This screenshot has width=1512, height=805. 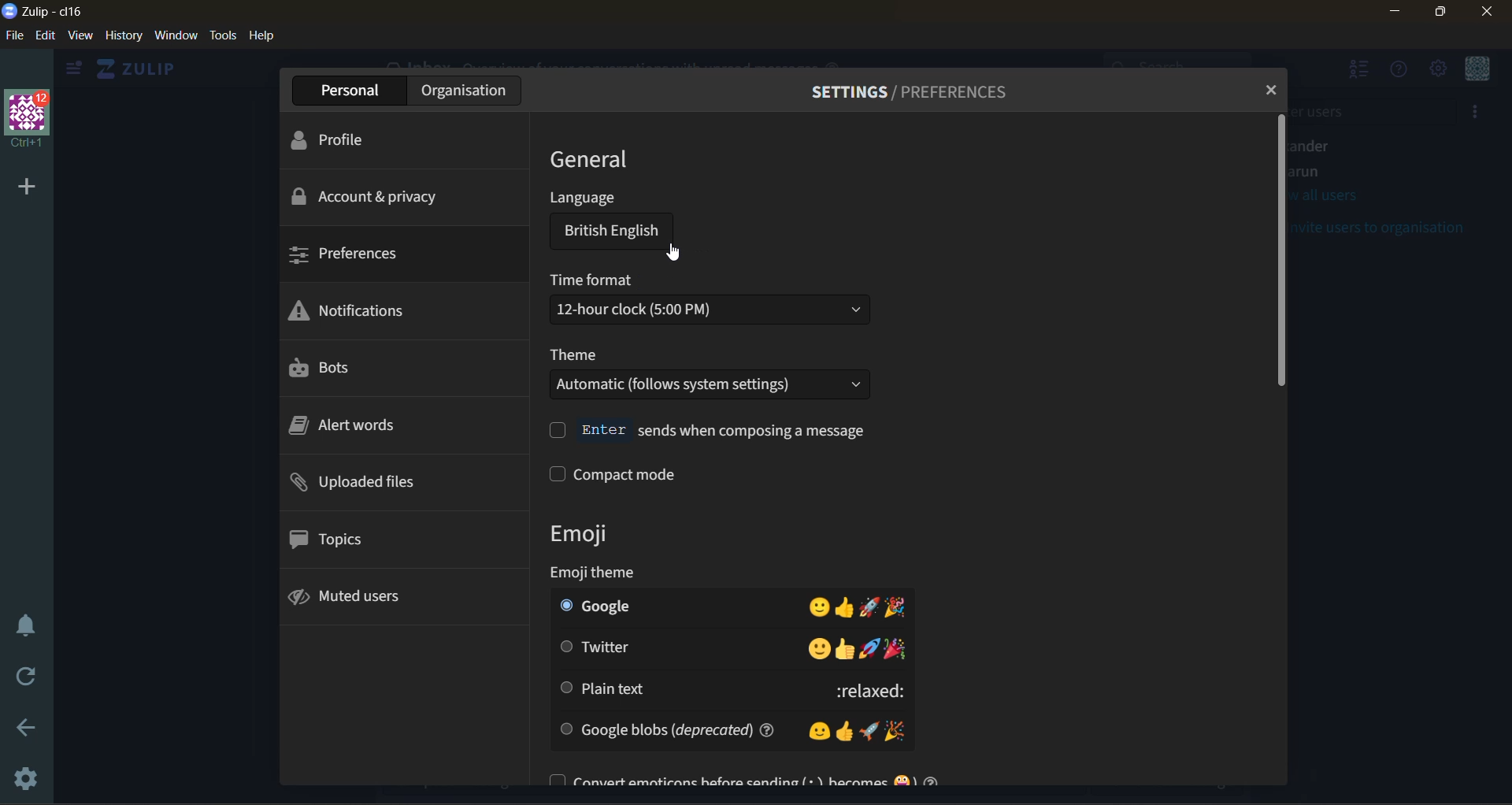 What do you see at coordinates (222, 35) in the screenshot?
I see `tools` at bounding box center [222, 35].